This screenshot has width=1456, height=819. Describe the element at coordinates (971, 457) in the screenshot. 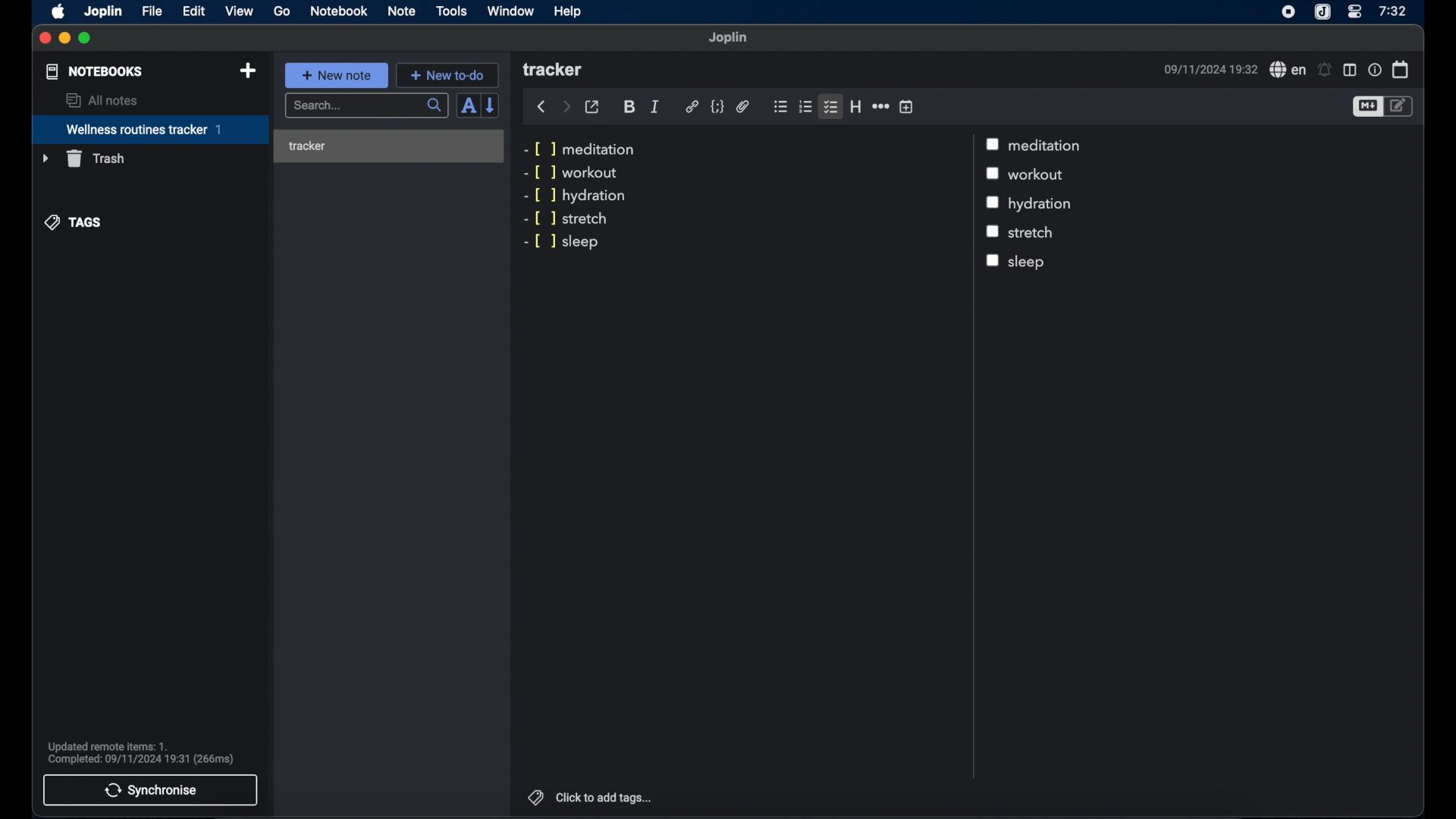

I see `Scroll bar` at that location.